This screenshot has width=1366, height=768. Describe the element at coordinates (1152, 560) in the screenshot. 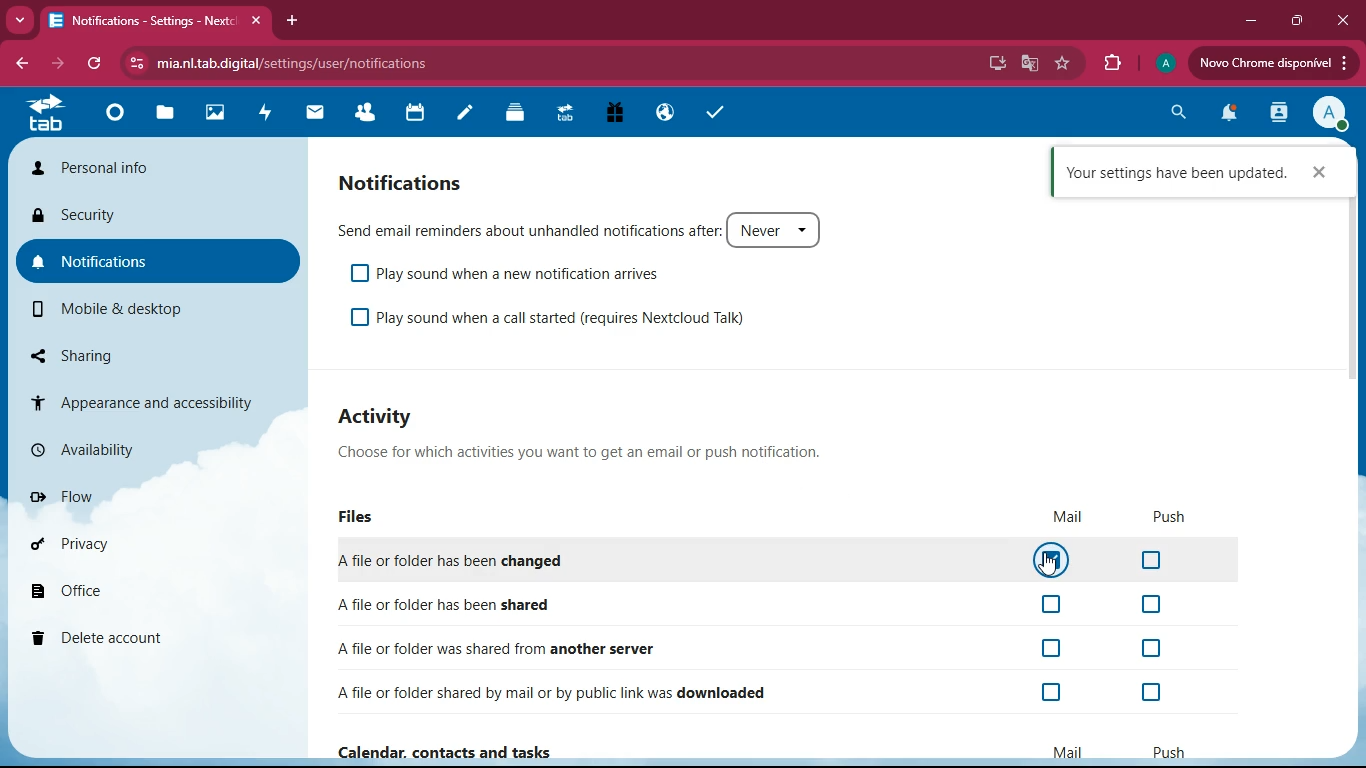

I see `off` at that location.